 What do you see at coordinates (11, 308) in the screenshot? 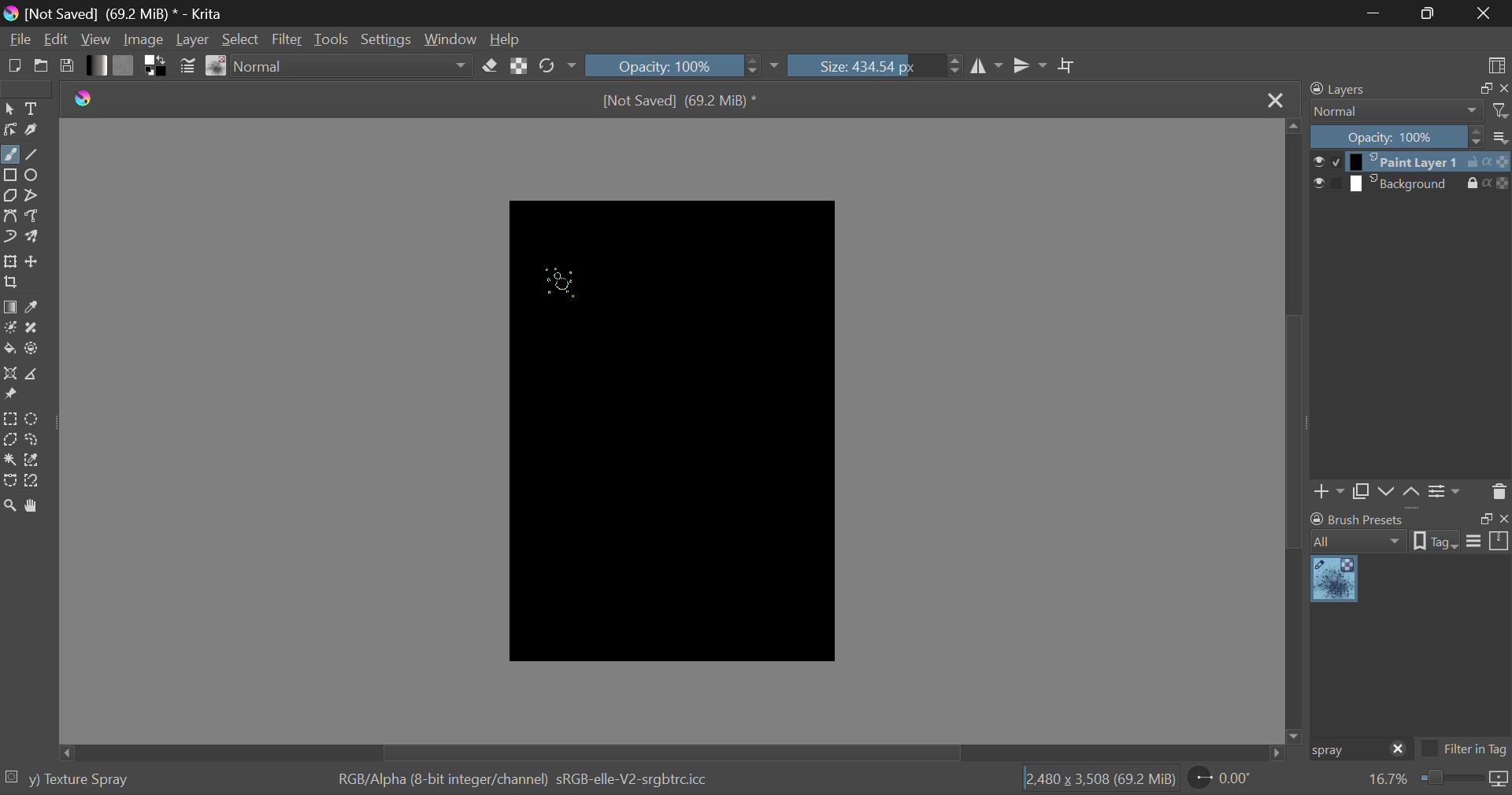
I see `Gradient Fill` at bounding box center [11, 308].